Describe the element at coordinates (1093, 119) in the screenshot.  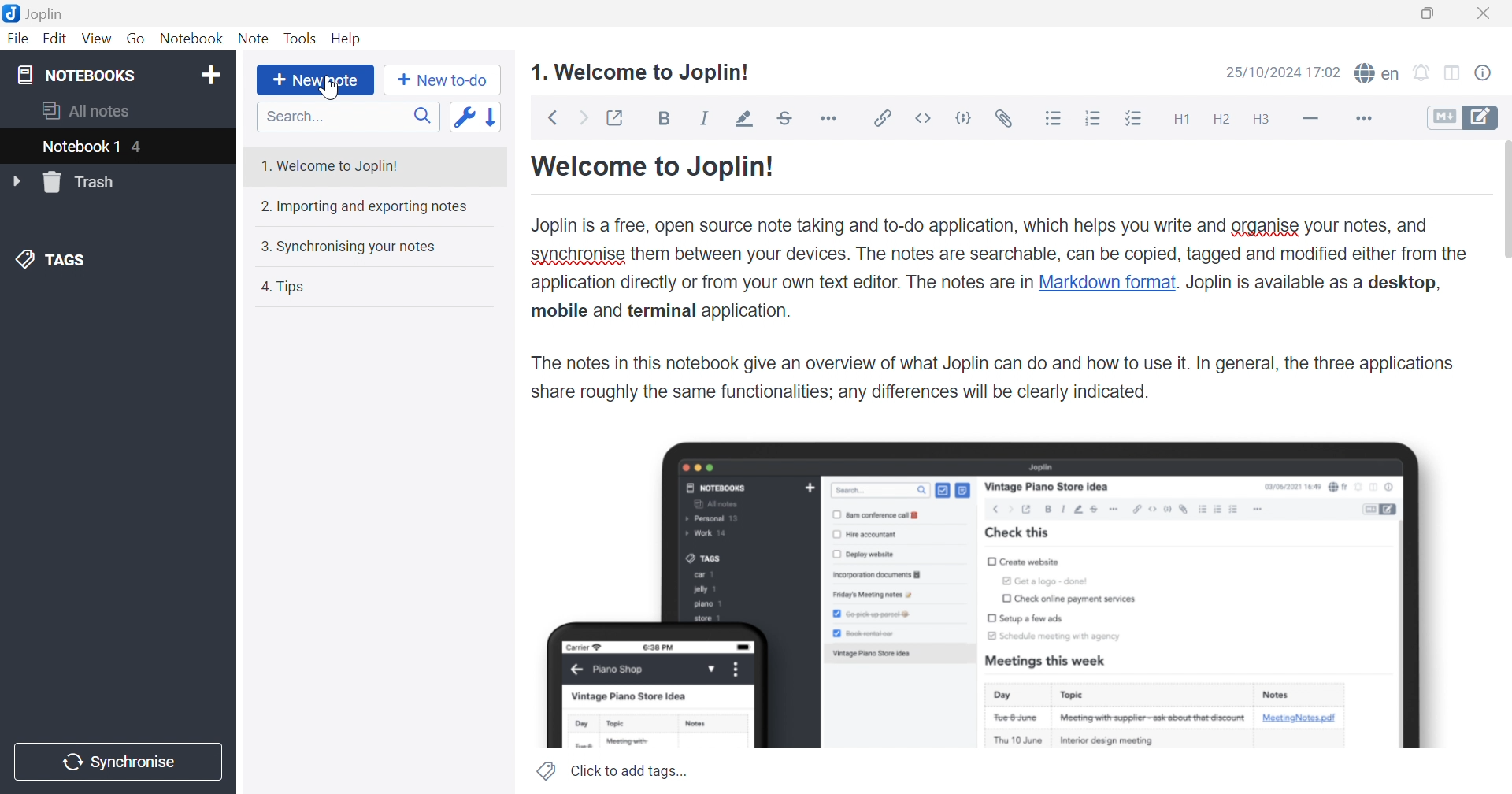
I see `Numbered list` at that location.